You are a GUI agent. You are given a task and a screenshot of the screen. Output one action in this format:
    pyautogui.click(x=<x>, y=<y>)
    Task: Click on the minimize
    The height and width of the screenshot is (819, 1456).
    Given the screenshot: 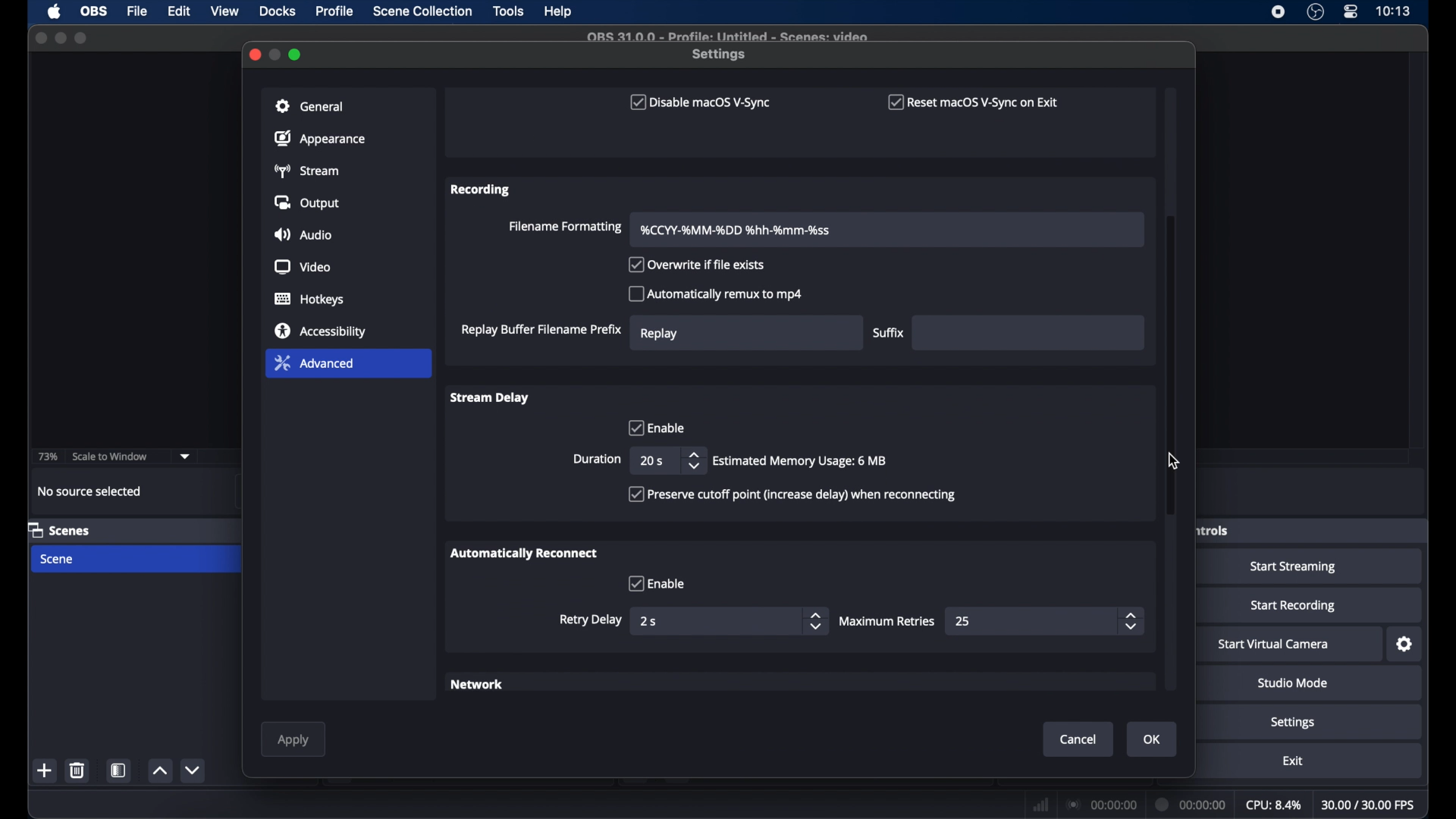 What is the action you would take?
    pyautogui.click(x=60, y=38)
    